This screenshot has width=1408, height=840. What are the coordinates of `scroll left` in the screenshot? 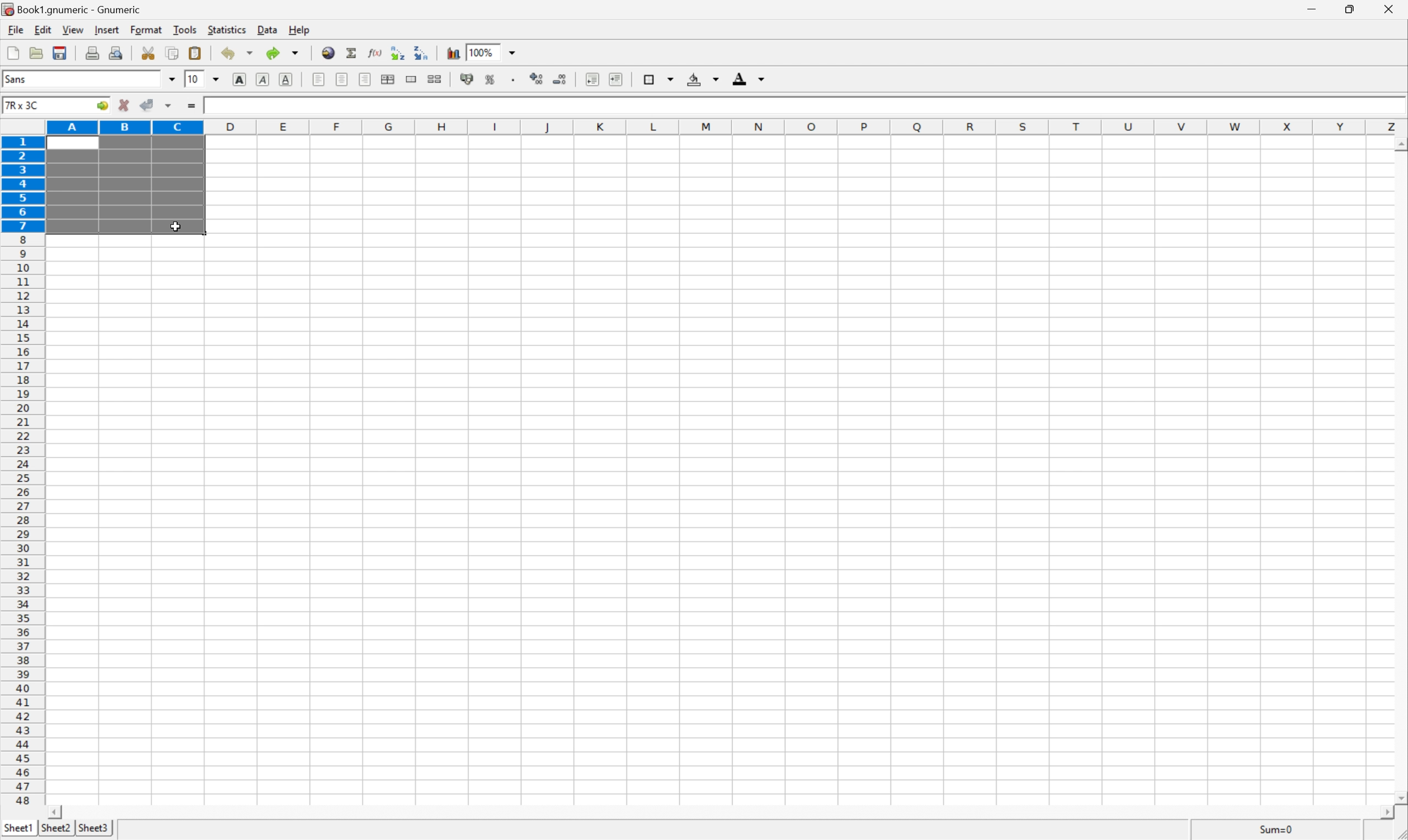 It's located at (57, 812).